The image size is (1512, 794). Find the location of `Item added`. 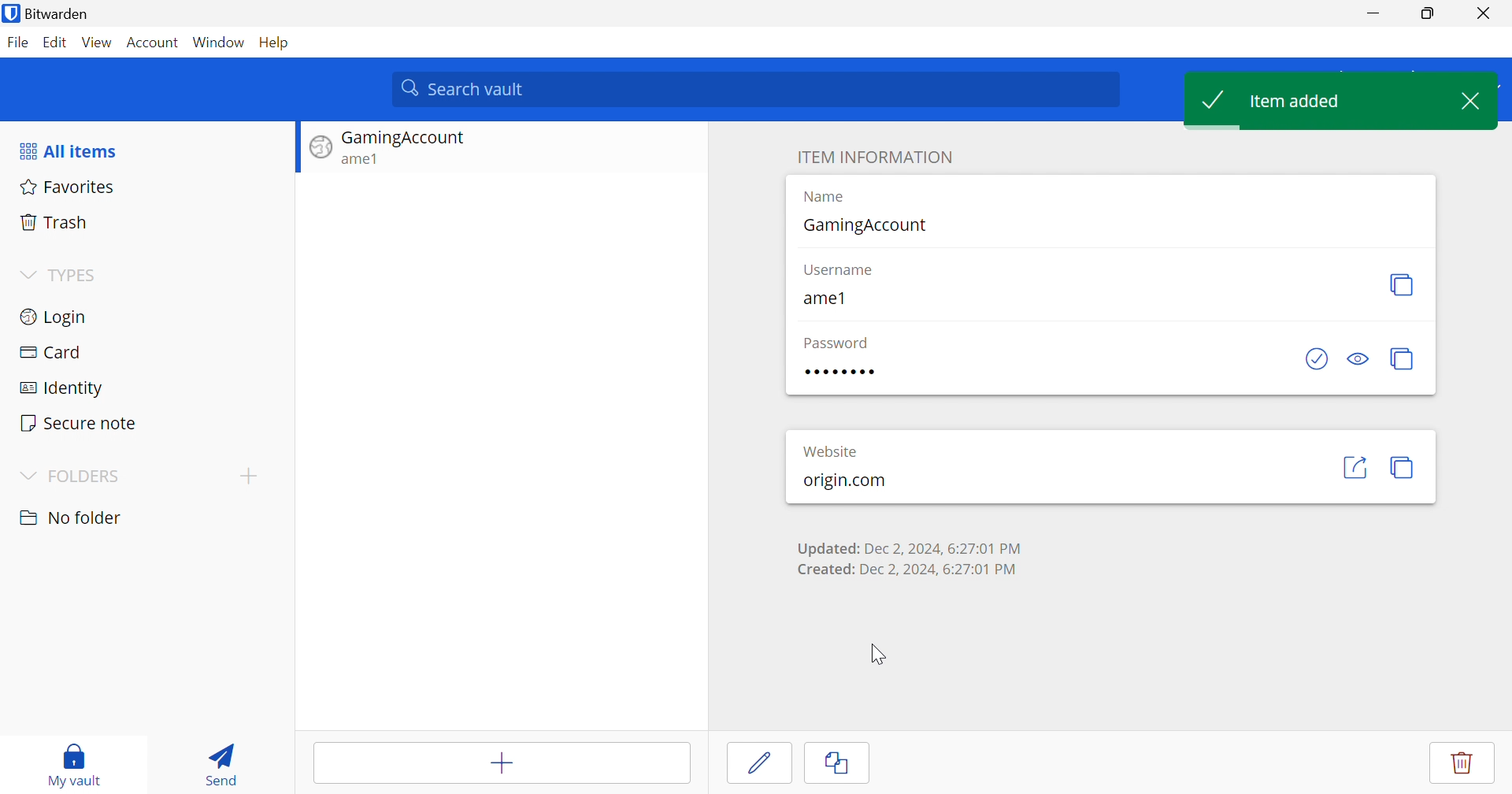

Item added is located at coordinates (1306, 100).